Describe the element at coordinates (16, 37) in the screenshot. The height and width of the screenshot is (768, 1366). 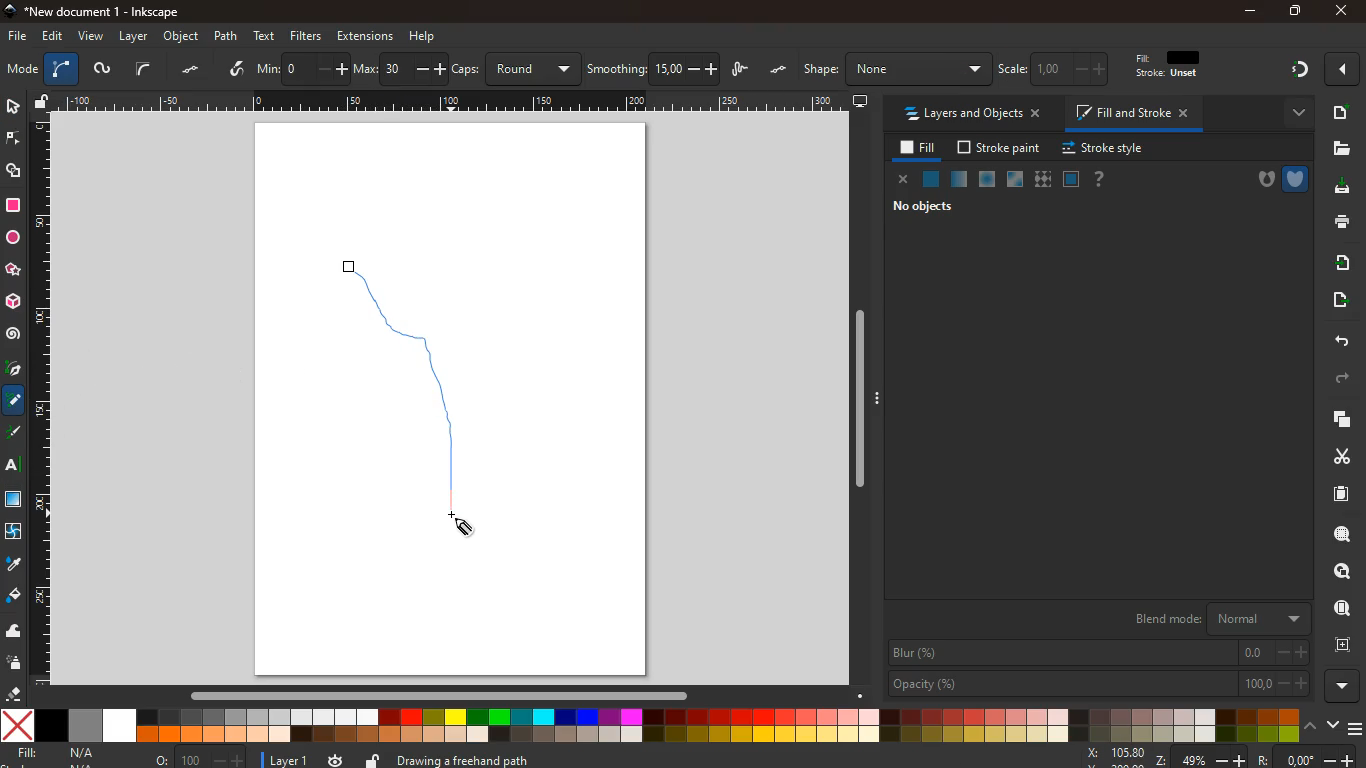
I see `file` at that location.